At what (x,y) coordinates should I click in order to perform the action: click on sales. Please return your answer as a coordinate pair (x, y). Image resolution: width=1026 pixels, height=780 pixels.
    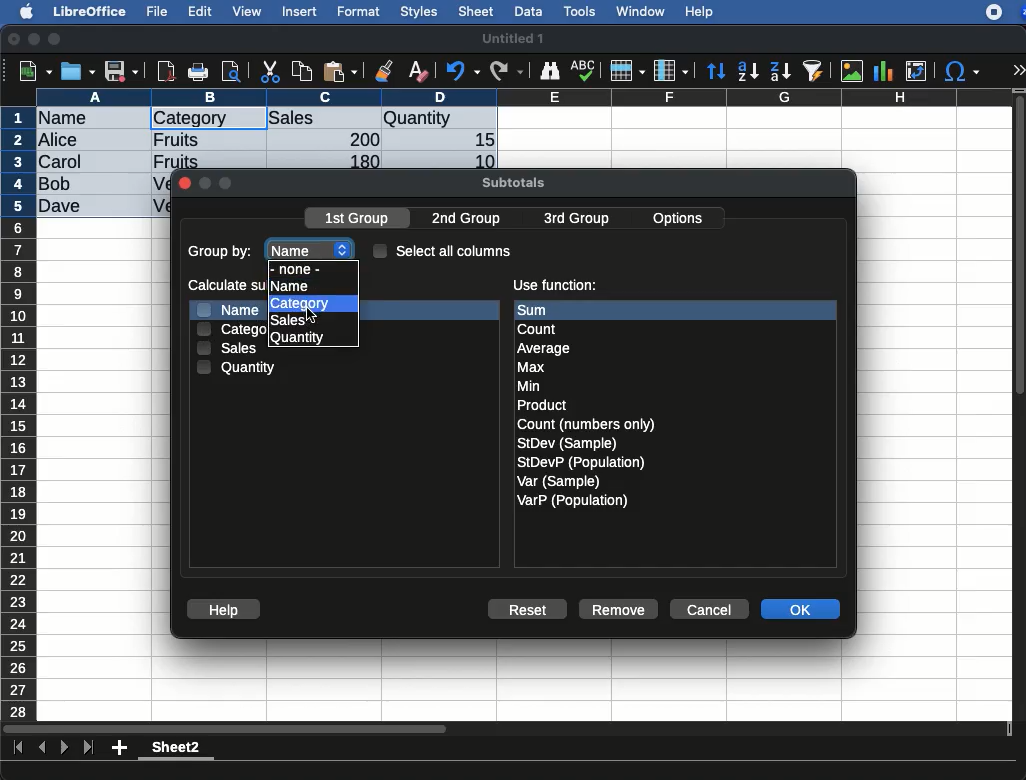
    Looking at the image, I should click on (285, 320).